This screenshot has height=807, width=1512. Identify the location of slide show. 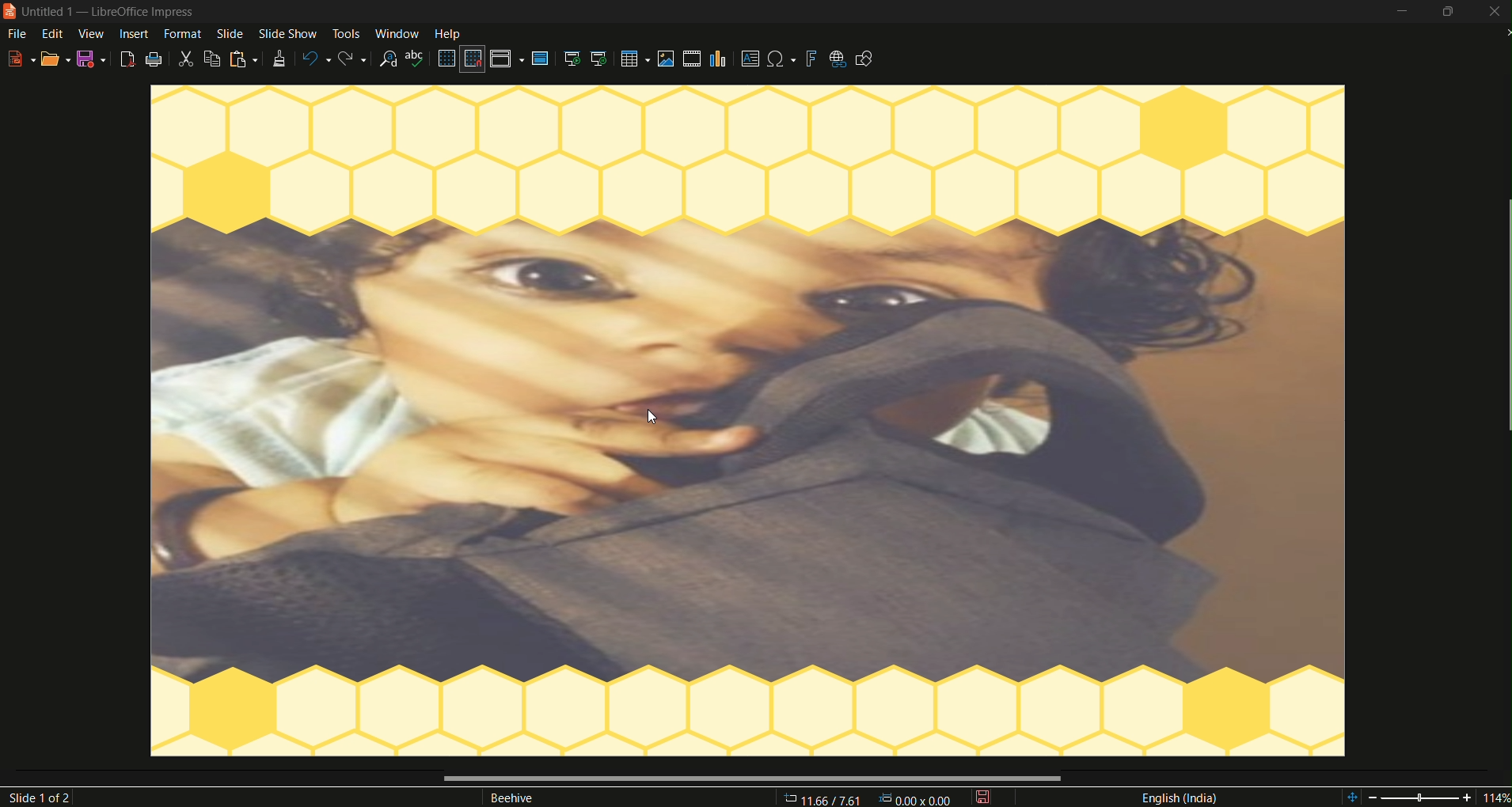
(287, 34).